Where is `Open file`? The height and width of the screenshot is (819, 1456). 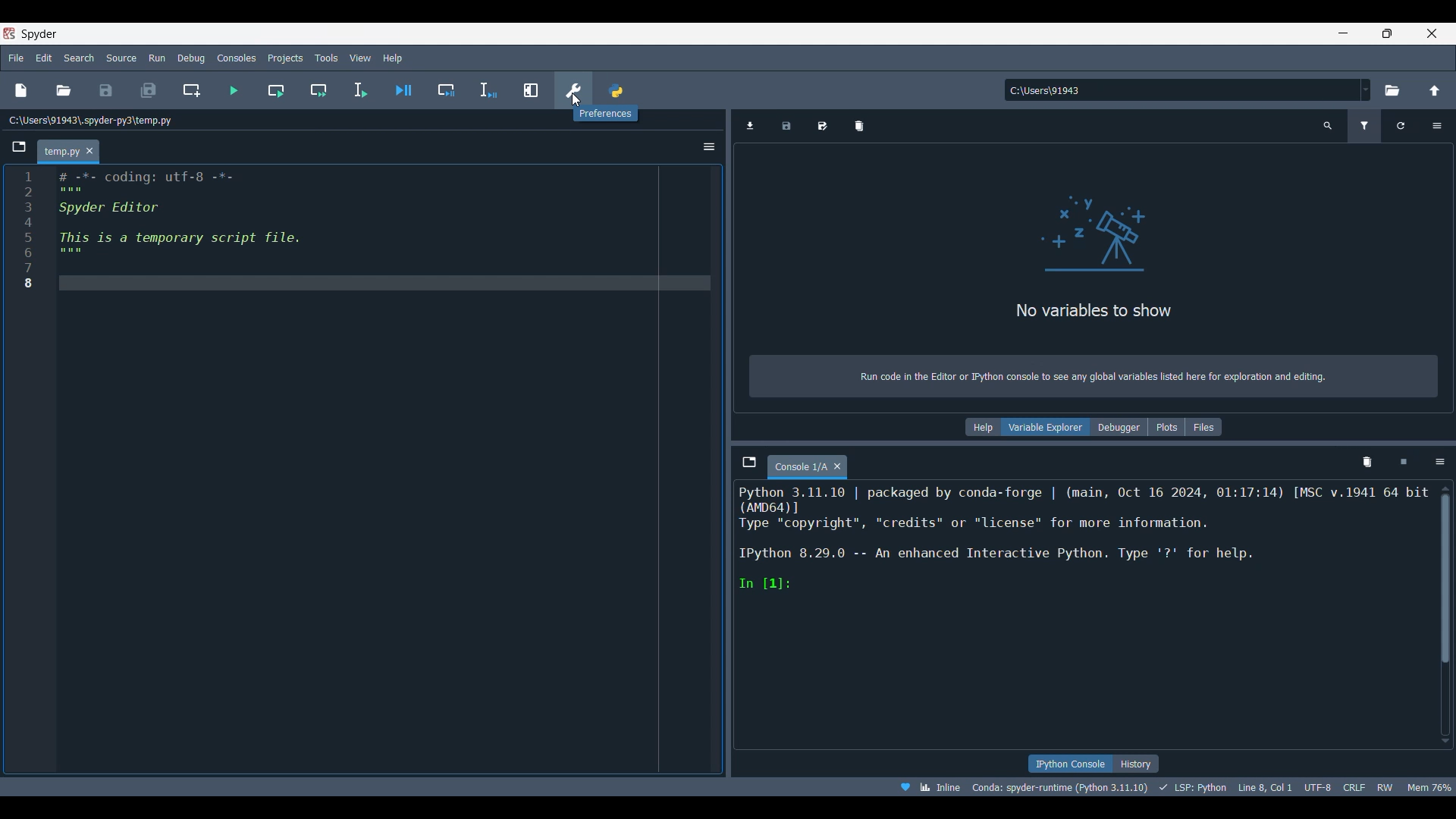 Open file is located at coordinates (64, 90).